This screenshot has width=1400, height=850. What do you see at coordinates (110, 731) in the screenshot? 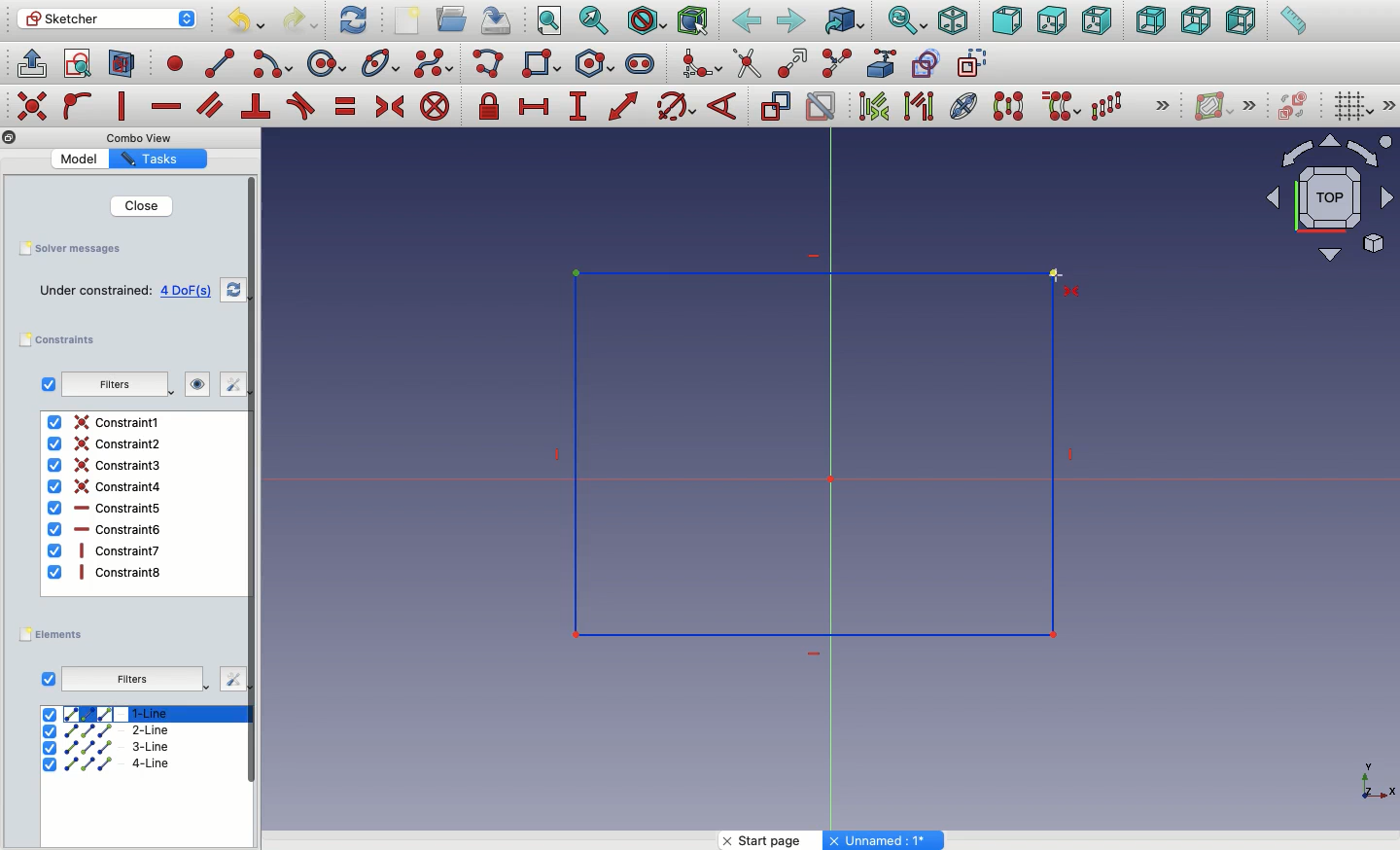
I see `2-line` at bounding box center [110, 731].